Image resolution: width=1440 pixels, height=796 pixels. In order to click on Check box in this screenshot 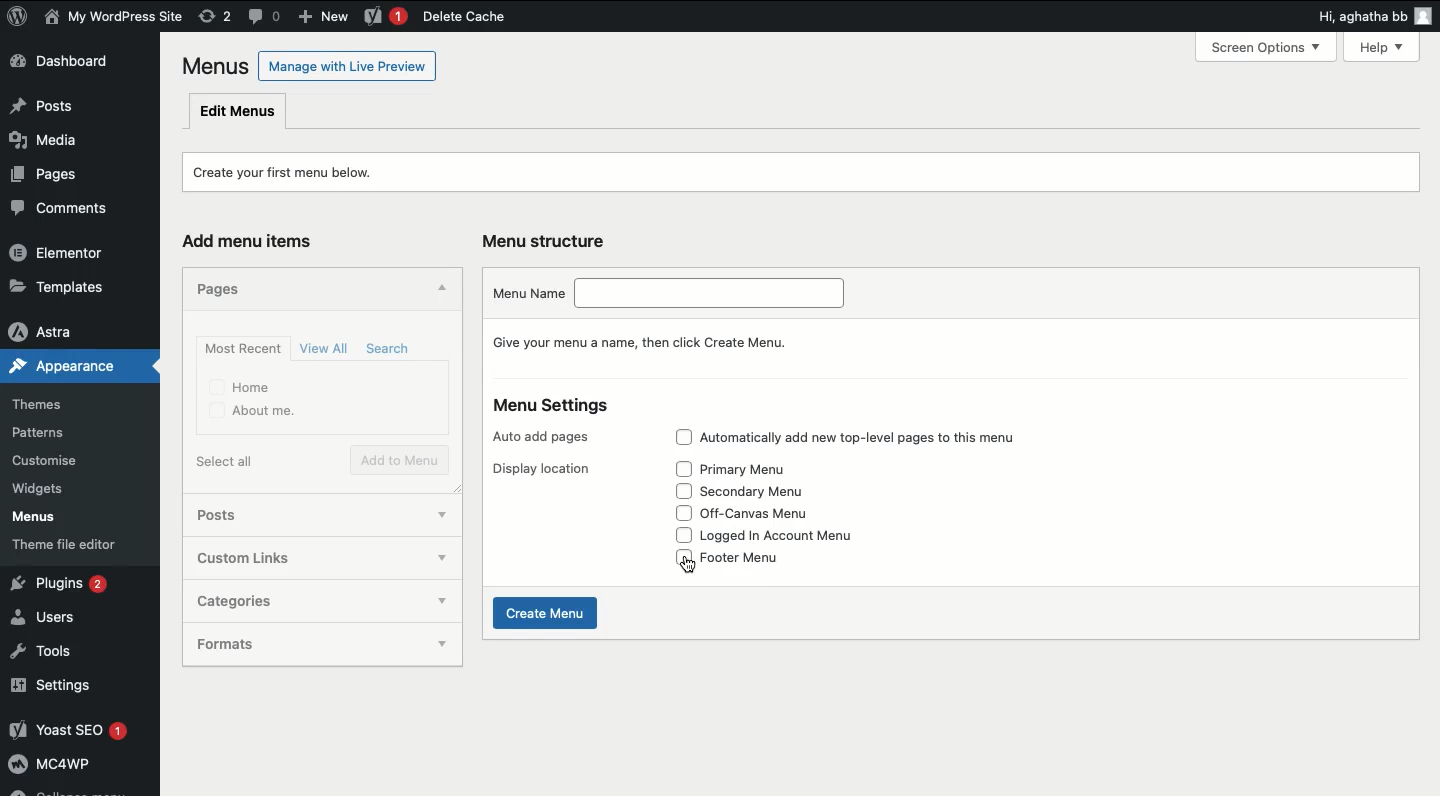, I will do `click(437, 601)`.